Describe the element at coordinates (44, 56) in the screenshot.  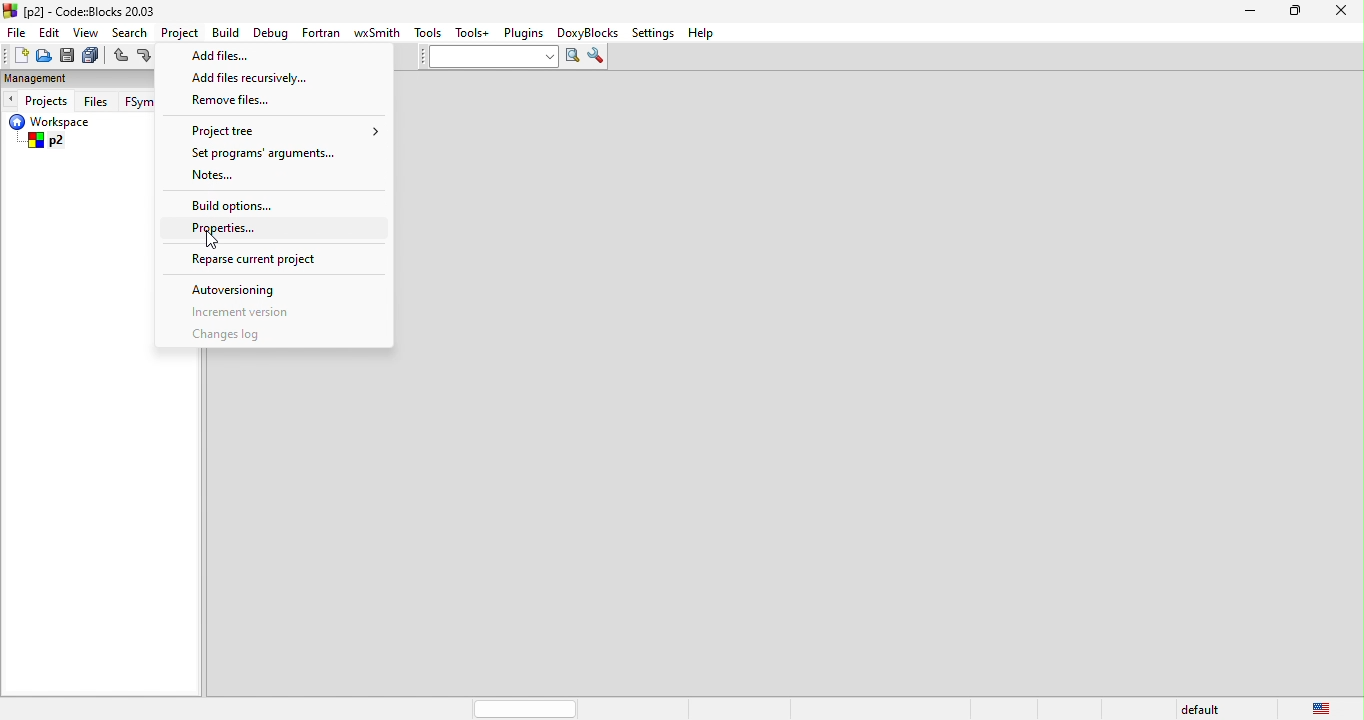
I see `open` at that location.